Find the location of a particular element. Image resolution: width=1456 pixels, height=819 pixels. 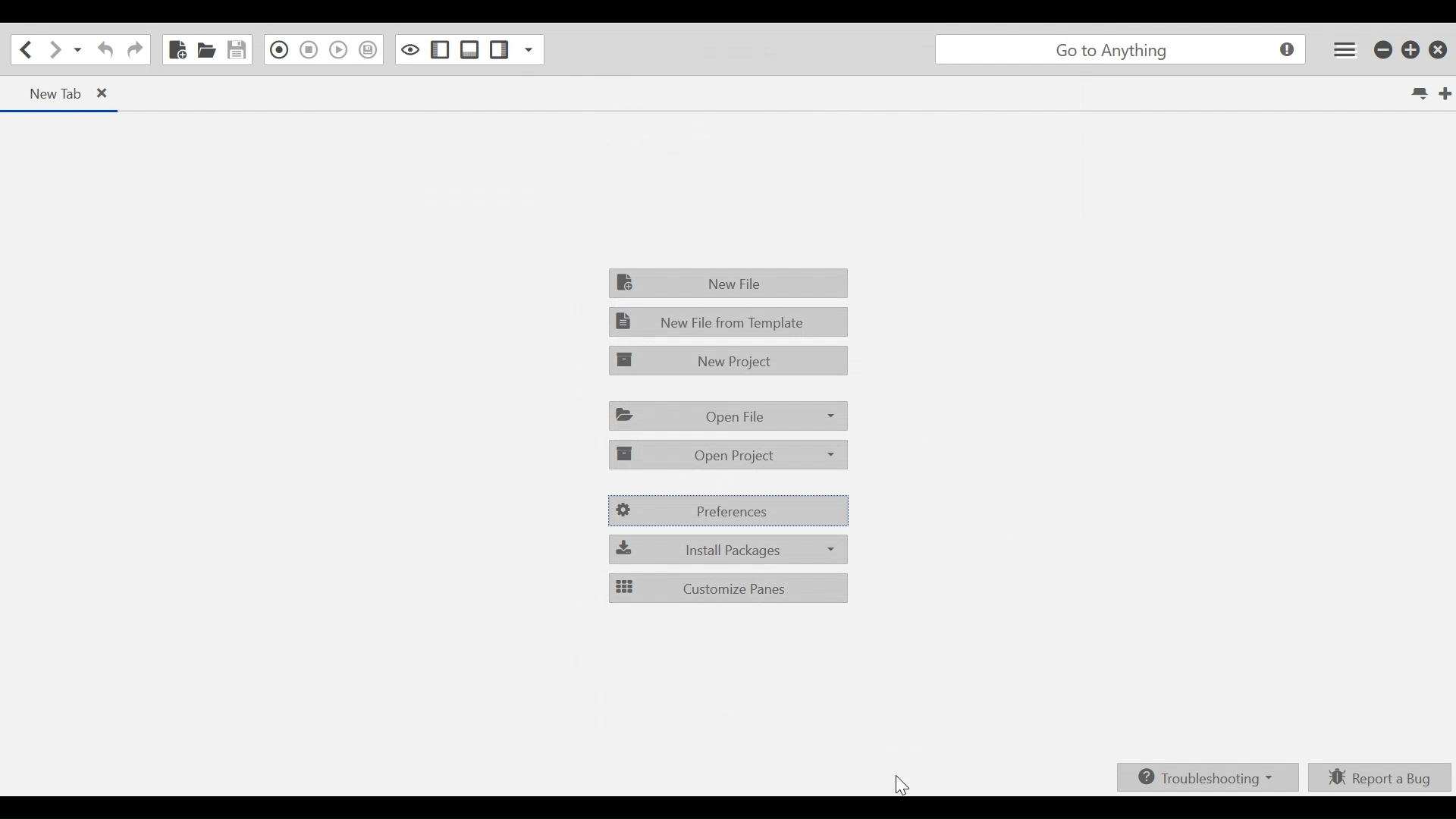

Record in Macro is located at coordinates (277, 50).